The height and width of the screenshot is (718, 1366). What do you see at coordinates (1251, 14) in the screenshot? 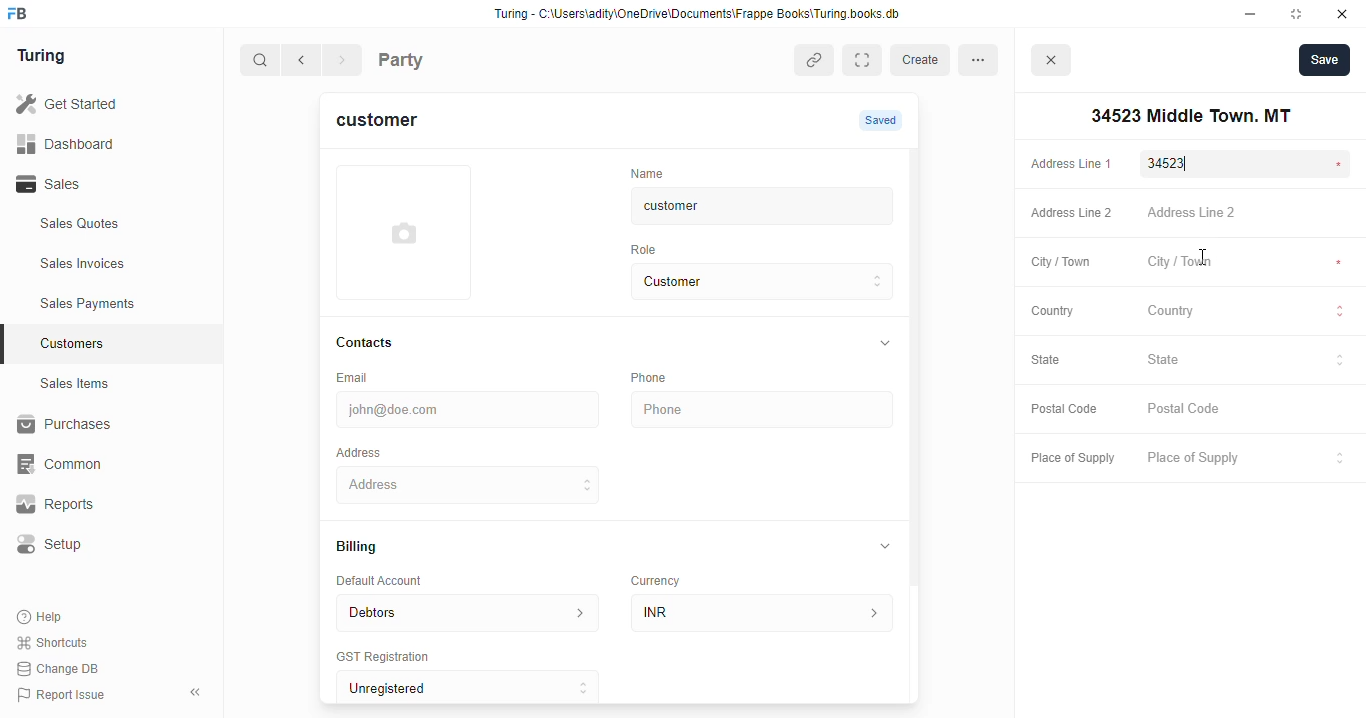
I see `minimise` at bounding box center [1251, 14].